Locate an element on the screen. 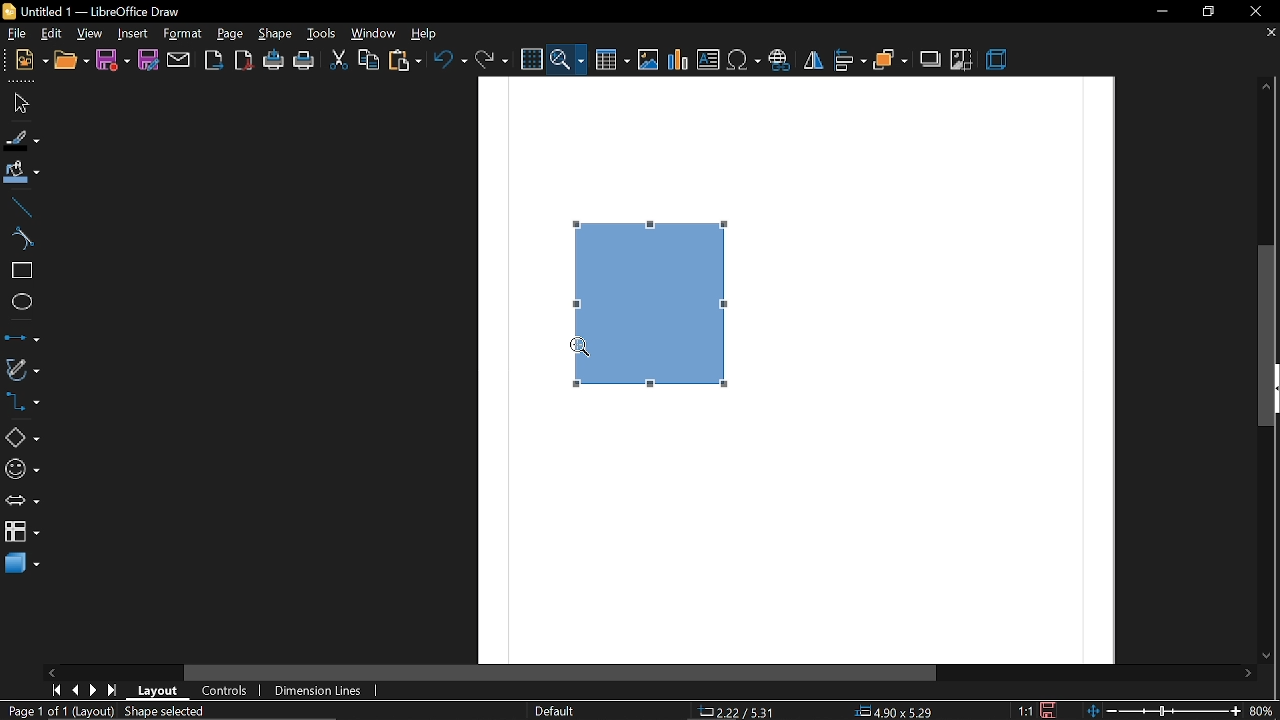 Image resolution: width=1280 pixels, height=720 pixels. cut  is located at coordinates (338, 60).